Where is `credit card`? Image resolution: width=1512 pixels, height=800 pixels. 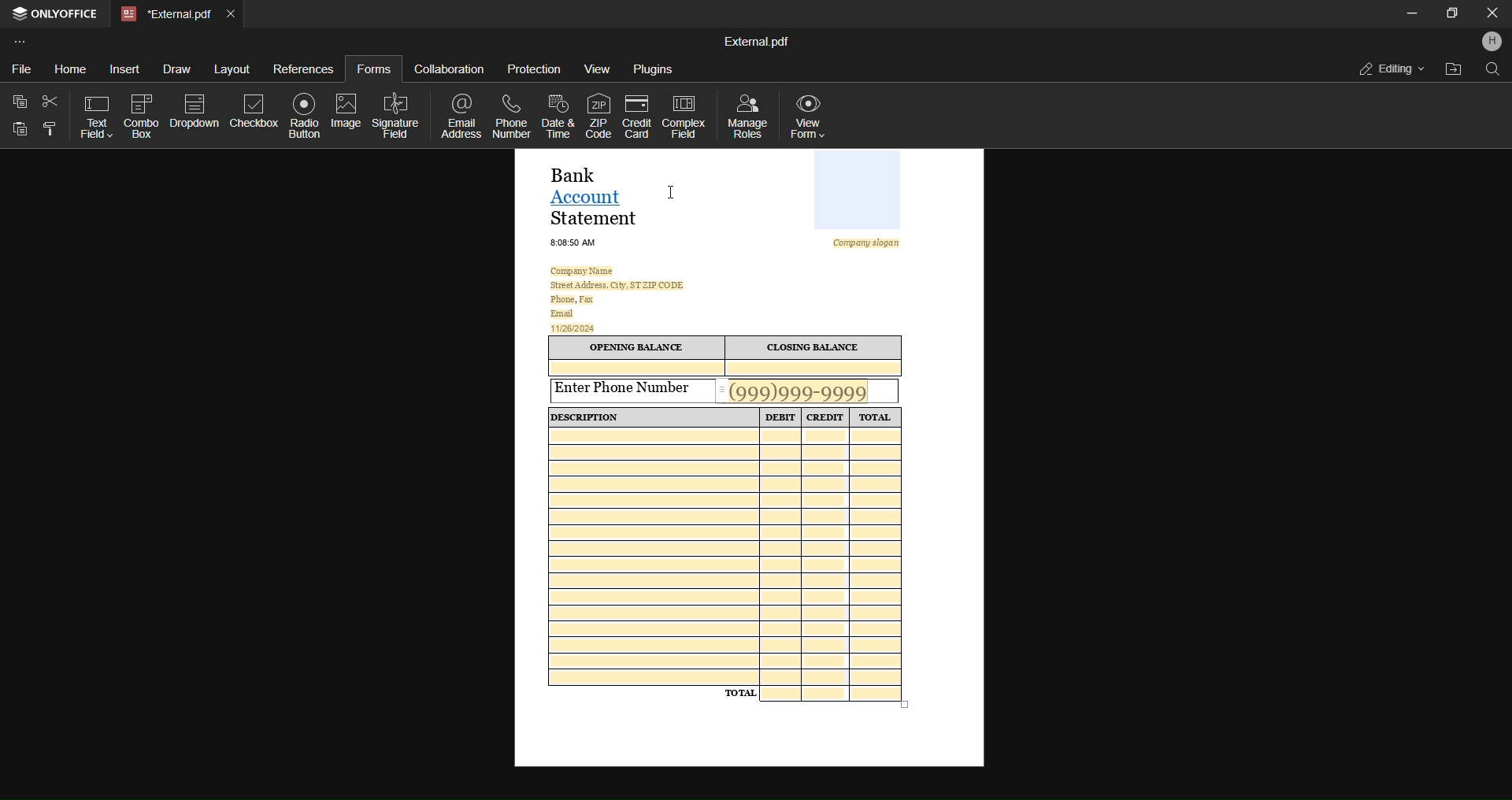
credit card is located at coordinates (638, 114).